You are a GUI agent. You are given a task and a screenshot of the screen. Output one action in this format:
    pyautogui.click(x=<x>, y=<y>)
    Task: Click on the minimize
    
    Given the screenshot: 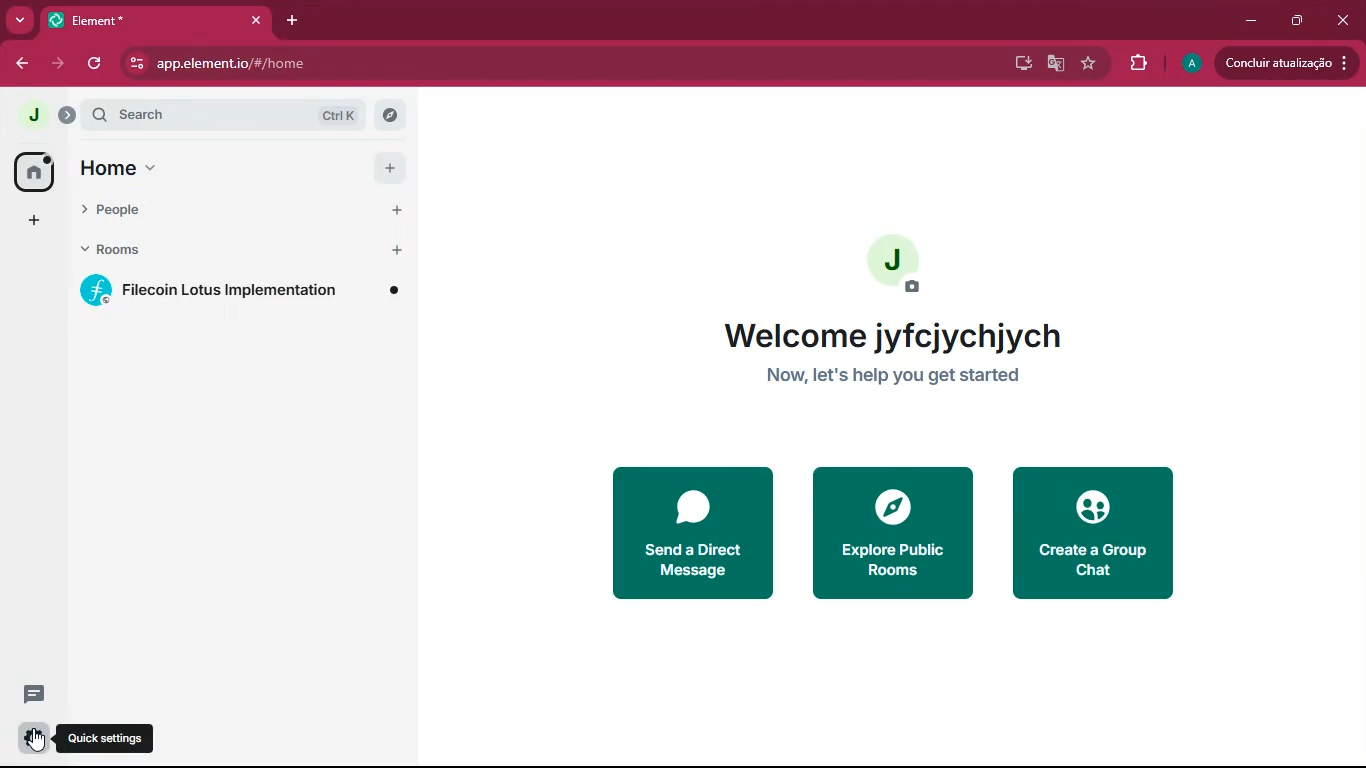 What is the action you would take?
    pyautogui.click(x=1246, y=21)
    